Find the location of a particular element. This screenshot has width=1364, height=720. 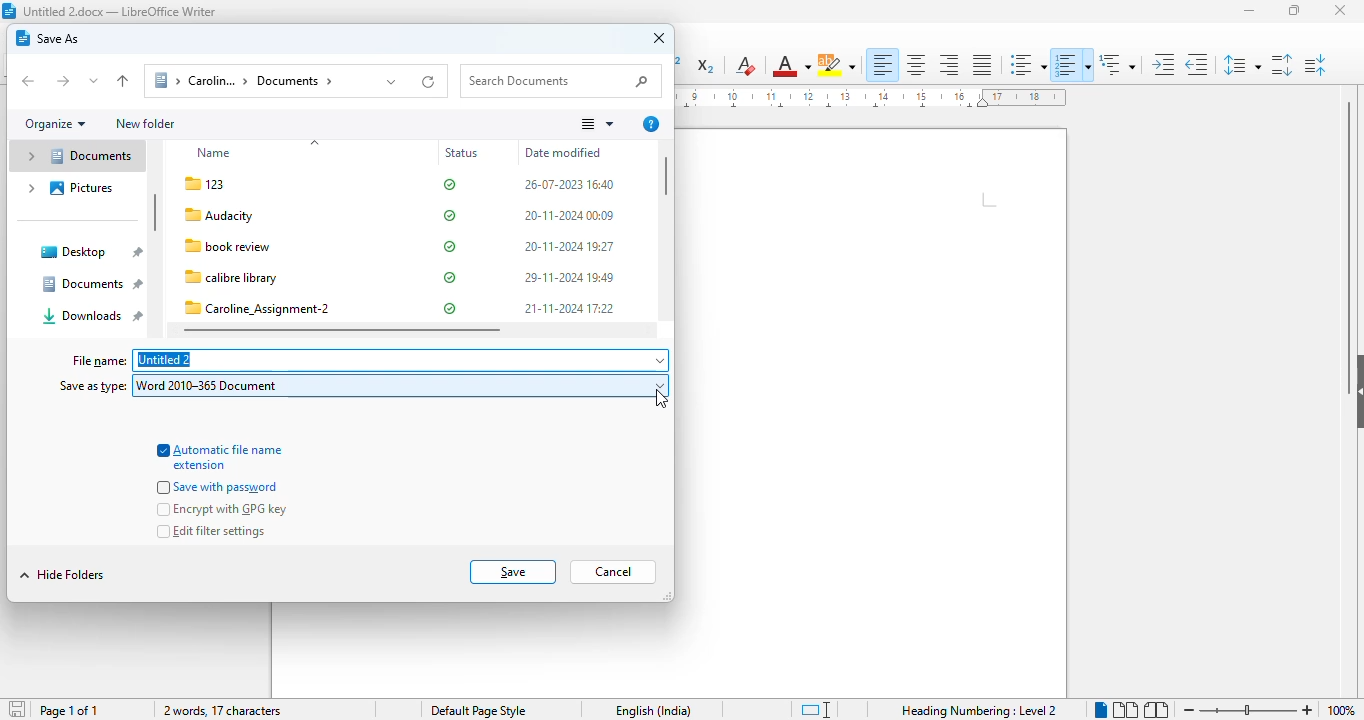

page 1 of 1 is located at coordinates (69, 711).